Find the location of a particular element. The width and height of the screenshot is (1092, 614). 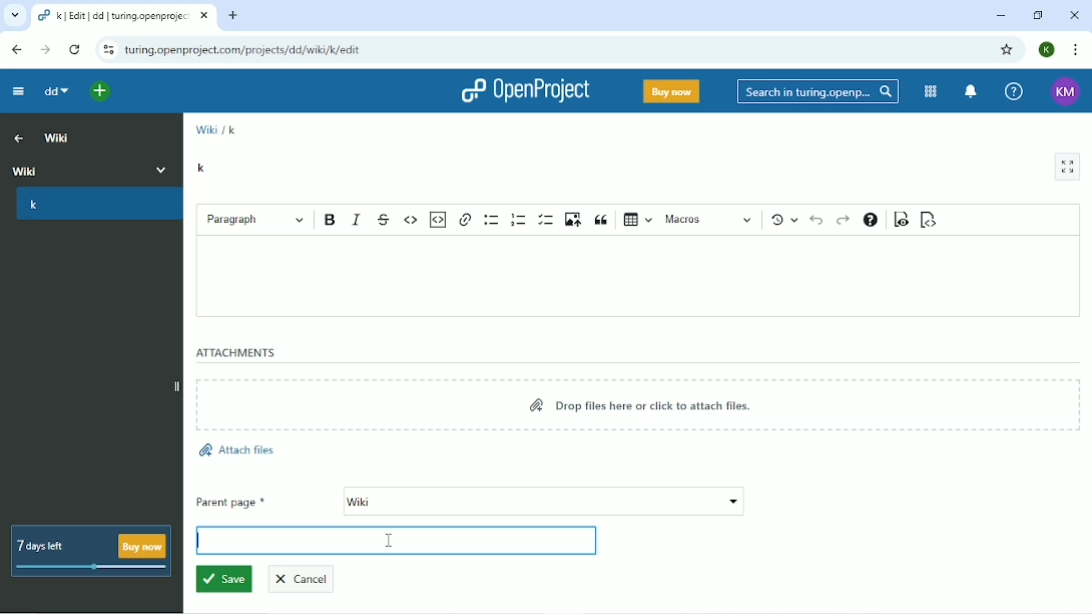

Link is located at coordinates (466, 218).